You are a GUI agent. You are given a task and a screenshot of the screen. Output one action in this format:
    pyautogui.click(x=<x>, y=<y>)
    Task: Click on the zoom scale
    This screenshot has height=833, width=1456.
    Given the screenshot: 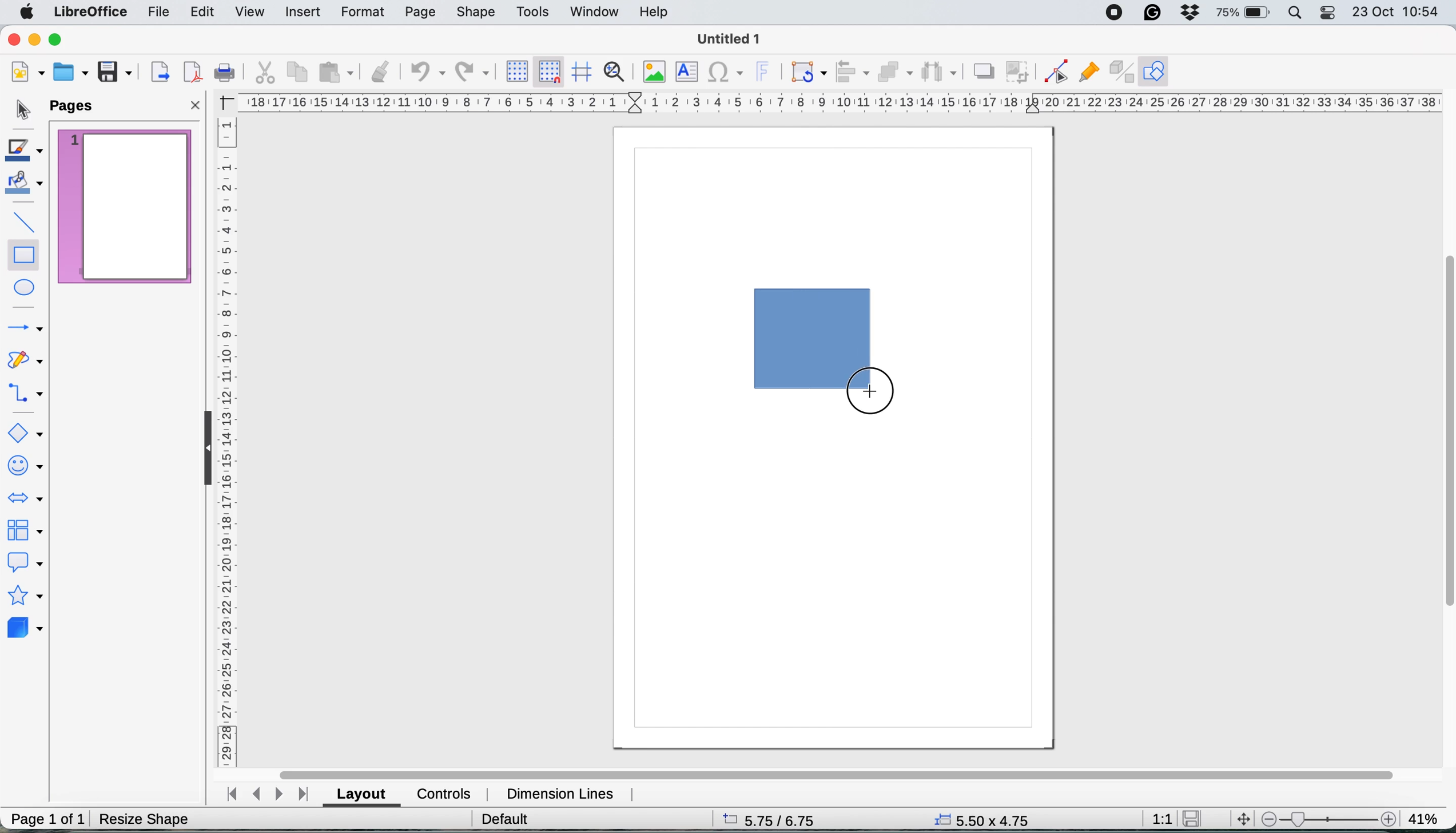 What is the action you would take?
    pyautogui.click(x=1328, y=818)
    